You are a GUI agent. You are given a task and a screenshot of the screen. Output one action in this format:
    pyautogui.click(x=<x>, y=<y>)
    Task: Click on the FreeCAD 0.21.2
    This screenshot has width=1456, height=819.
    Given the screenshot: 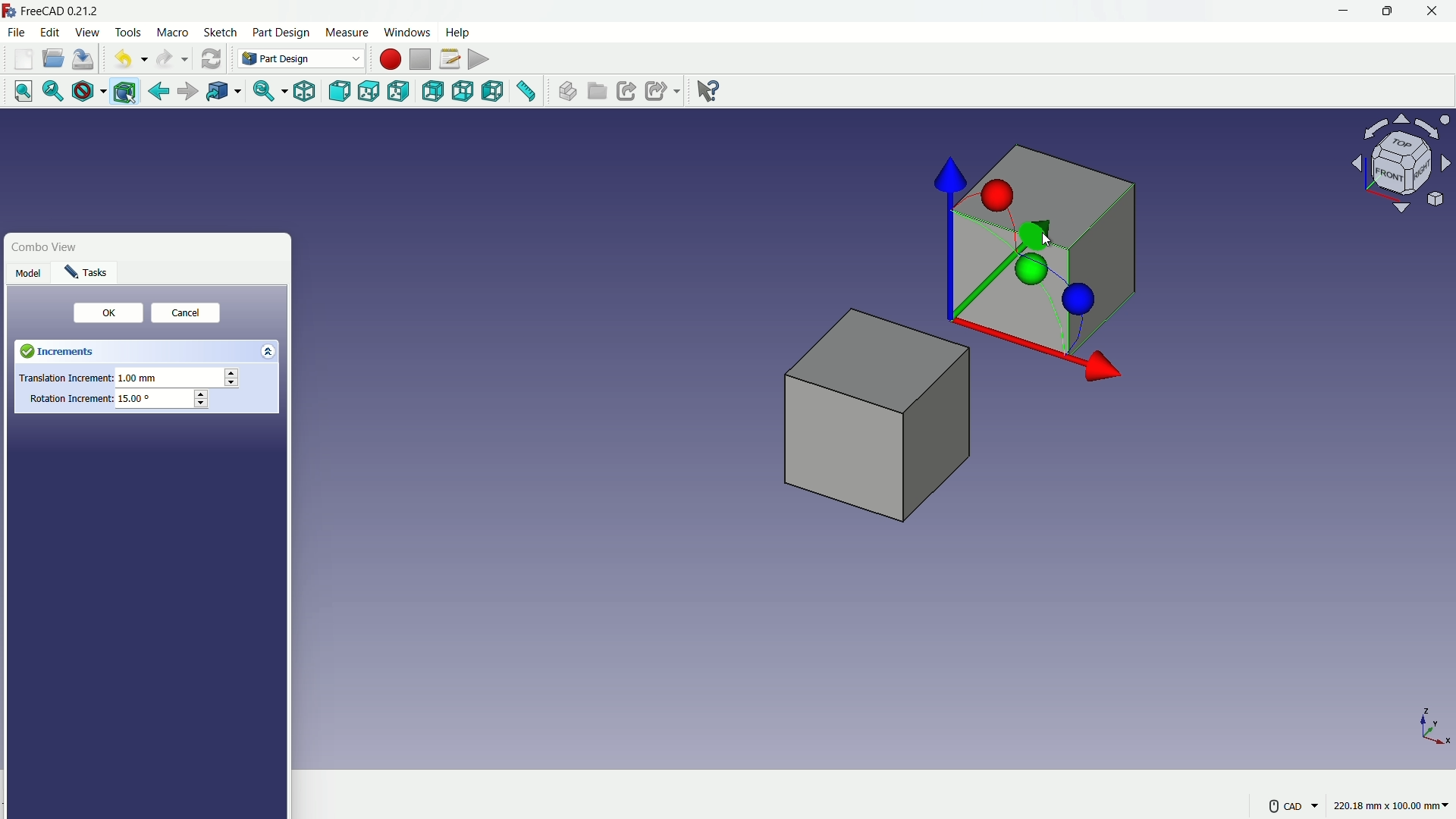 What is the action you would take?
    pyautogui.click(x=53, y=10)
    